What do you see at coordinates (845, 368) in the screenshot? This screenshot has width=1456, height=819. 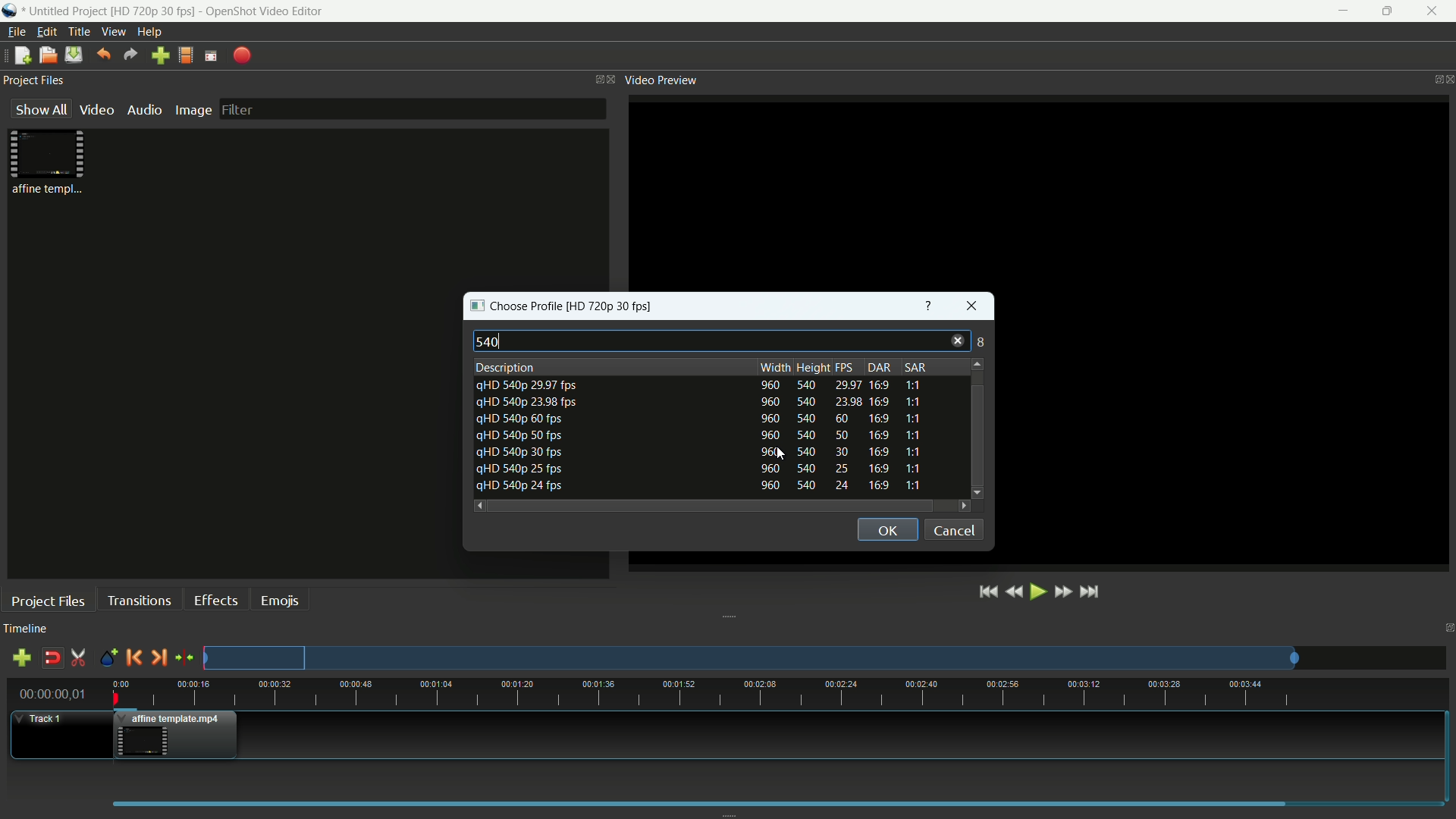 I see `fps` at bounding box center [845, 368].